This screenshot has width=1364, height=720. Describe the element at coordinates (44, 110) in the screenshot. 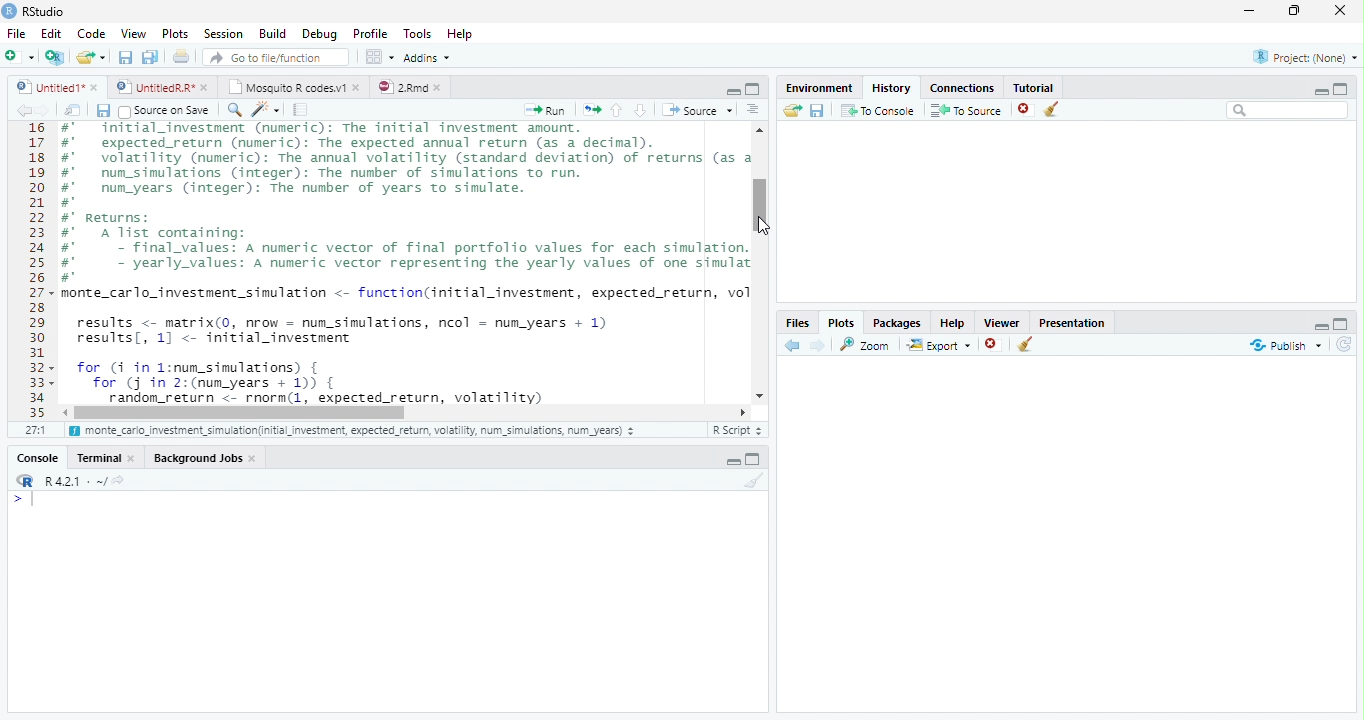

I see `next source location` at that location.